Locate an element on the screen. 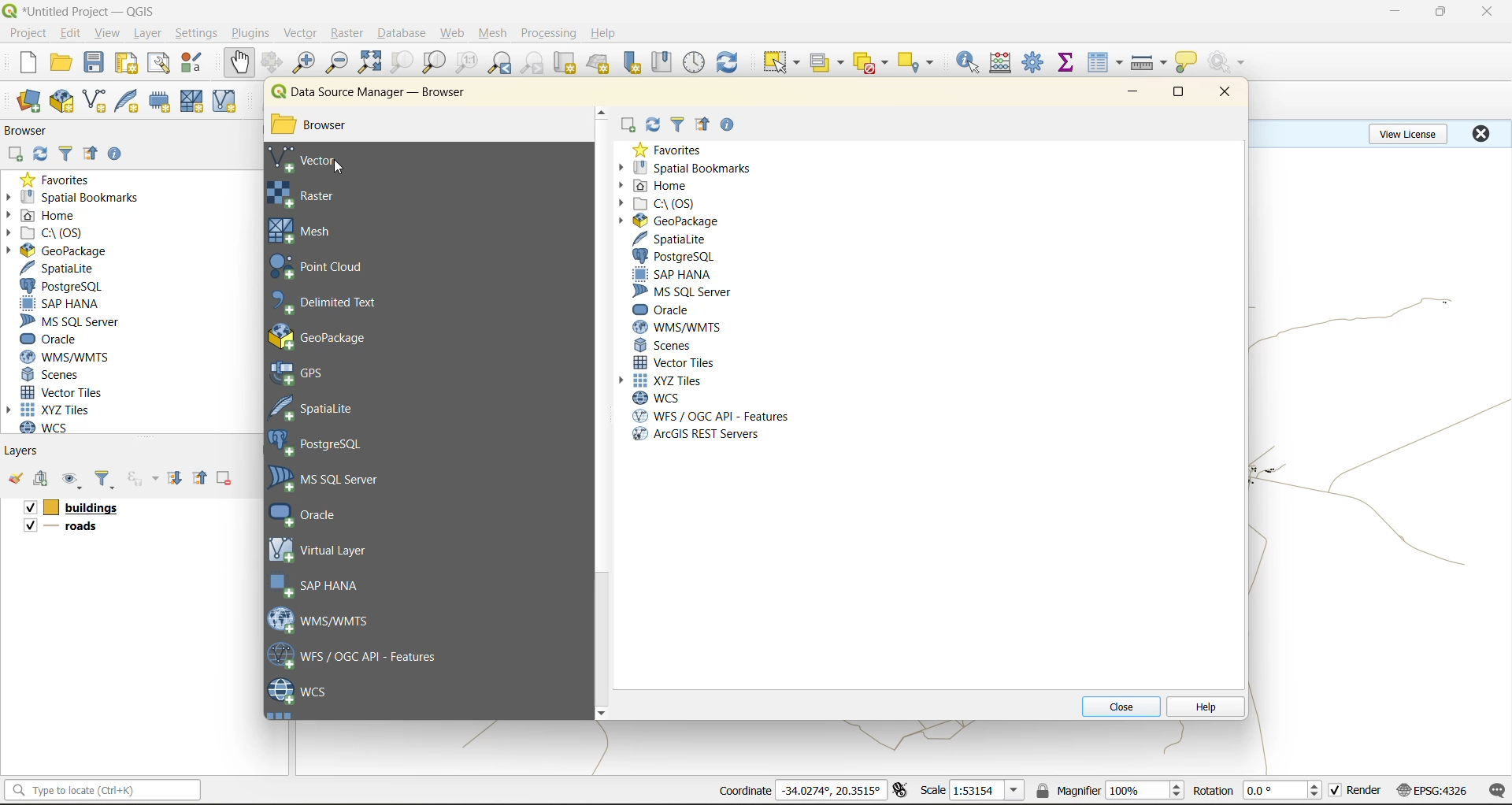 This screenshot has width=1512, height=805. enable/disable properties widget is located at coordinates (727, 126).